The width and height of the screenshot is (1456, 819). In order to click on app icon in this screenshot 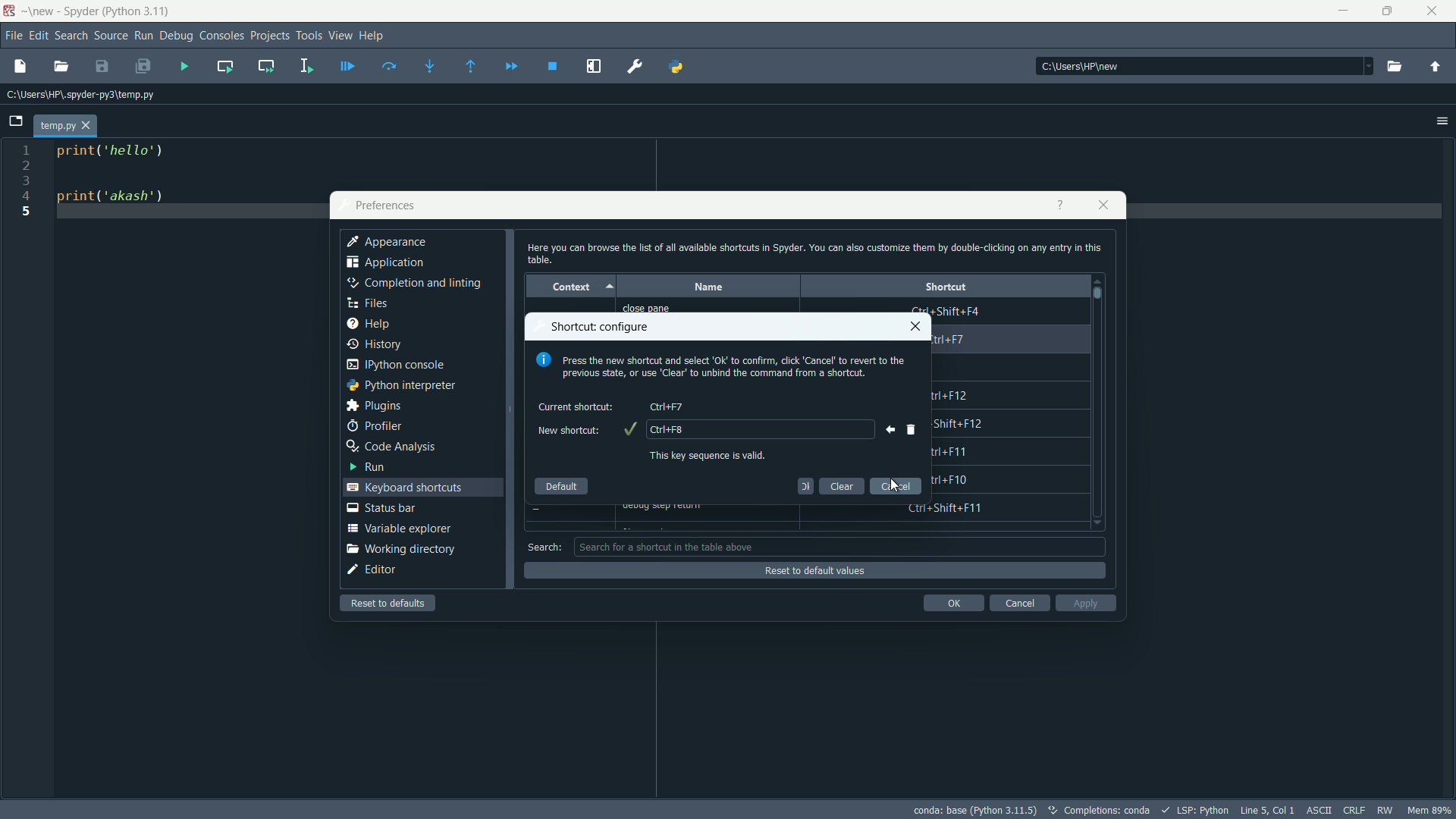, I will do `click(9, 11)`.